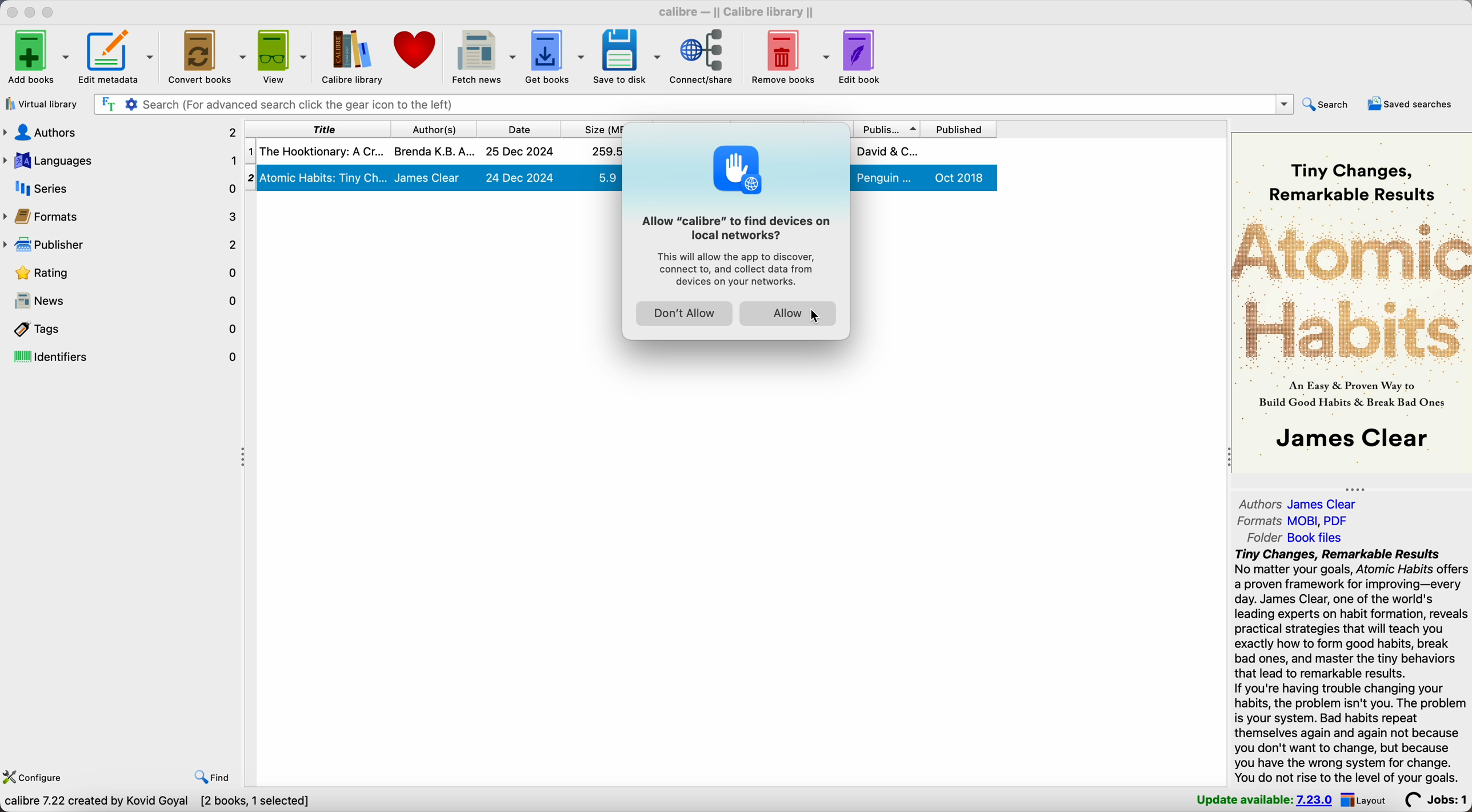  Describe the element at coordinates (520, 152) in the screenshot. I see `25 Dec 2024` at that location.